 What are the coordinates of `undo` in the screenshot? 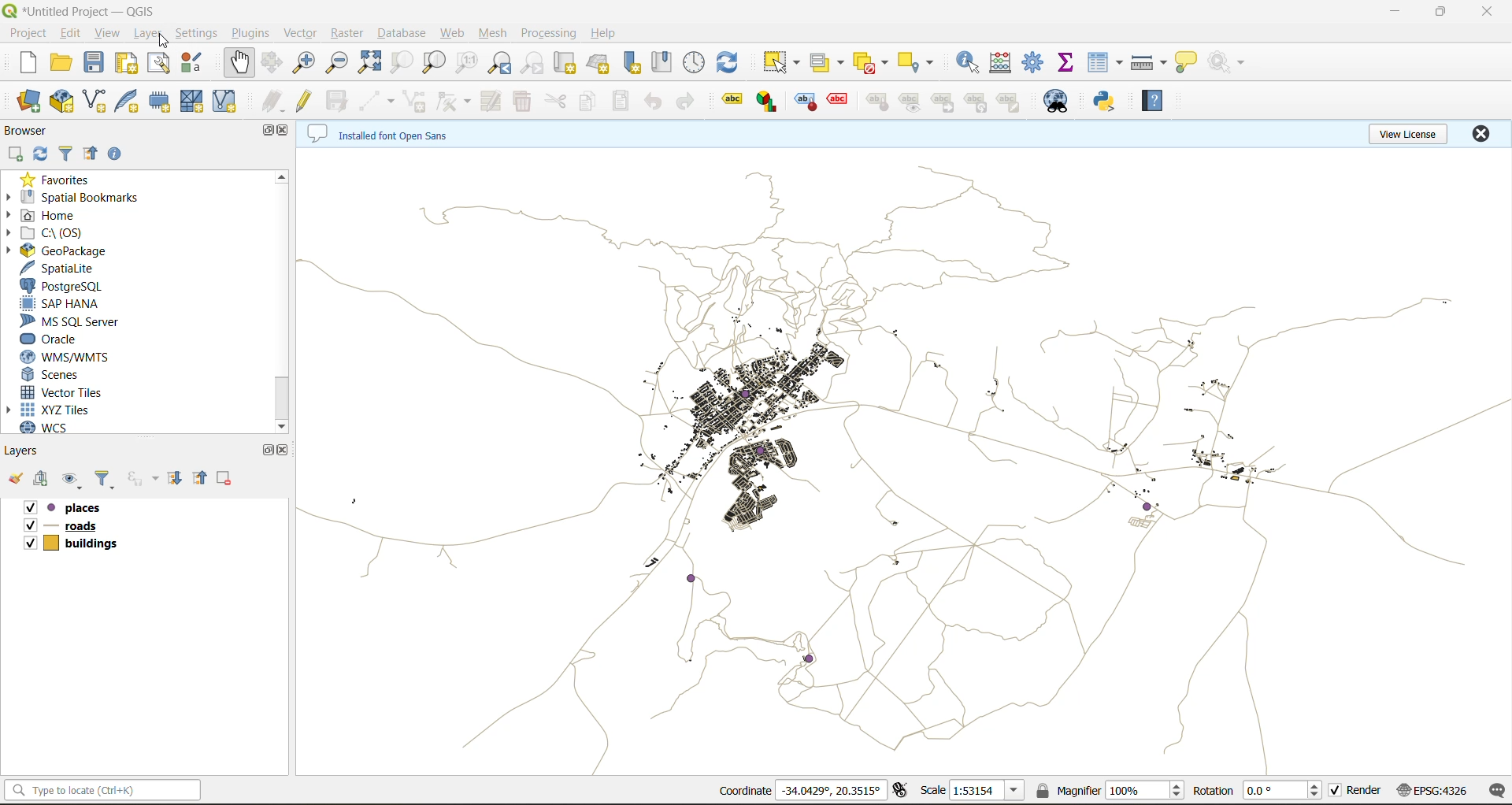 It's located at (659, 104).